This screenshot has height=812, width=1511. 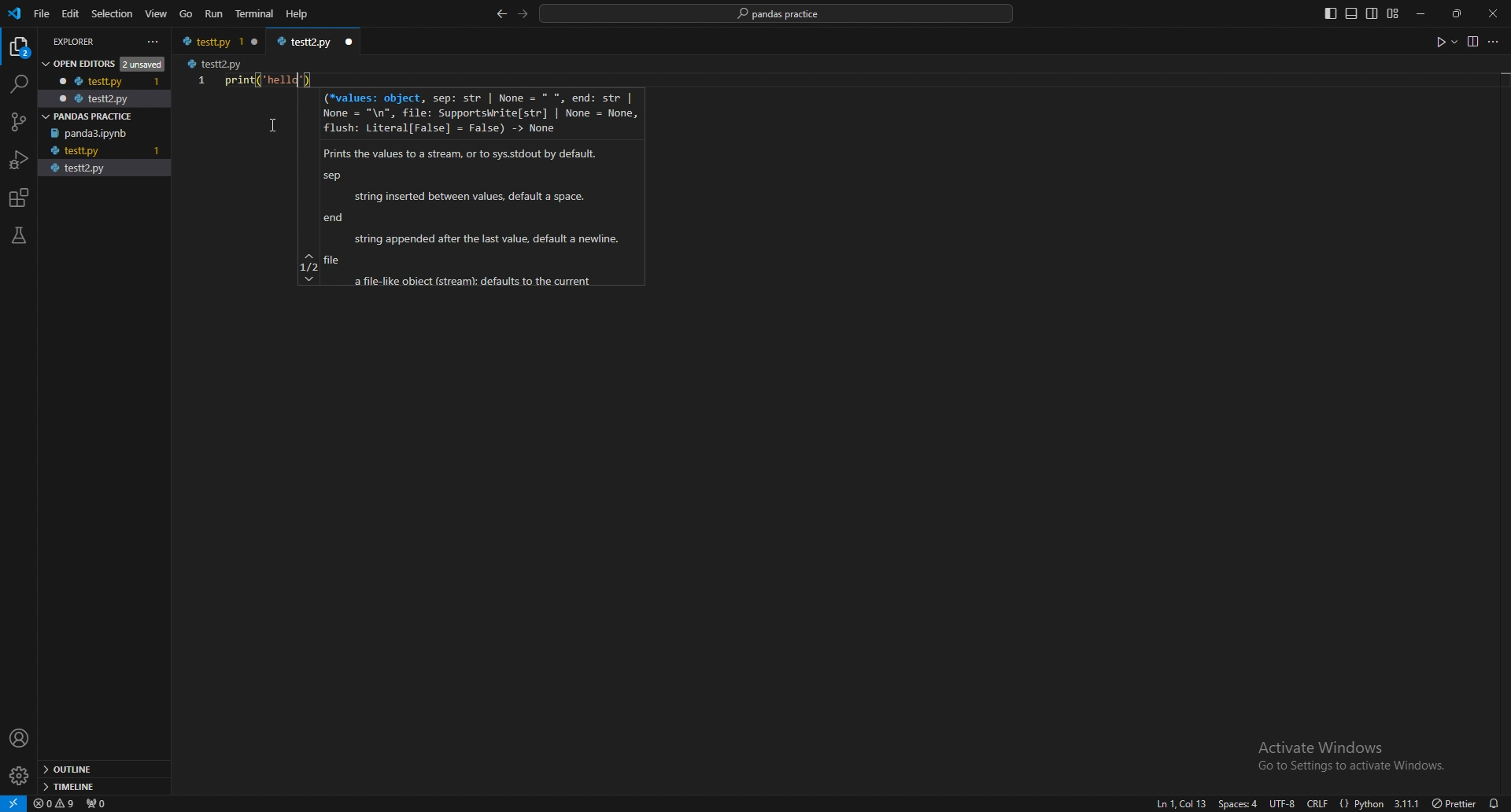 I want to click on pandas practice, so click(x=106, y=116).